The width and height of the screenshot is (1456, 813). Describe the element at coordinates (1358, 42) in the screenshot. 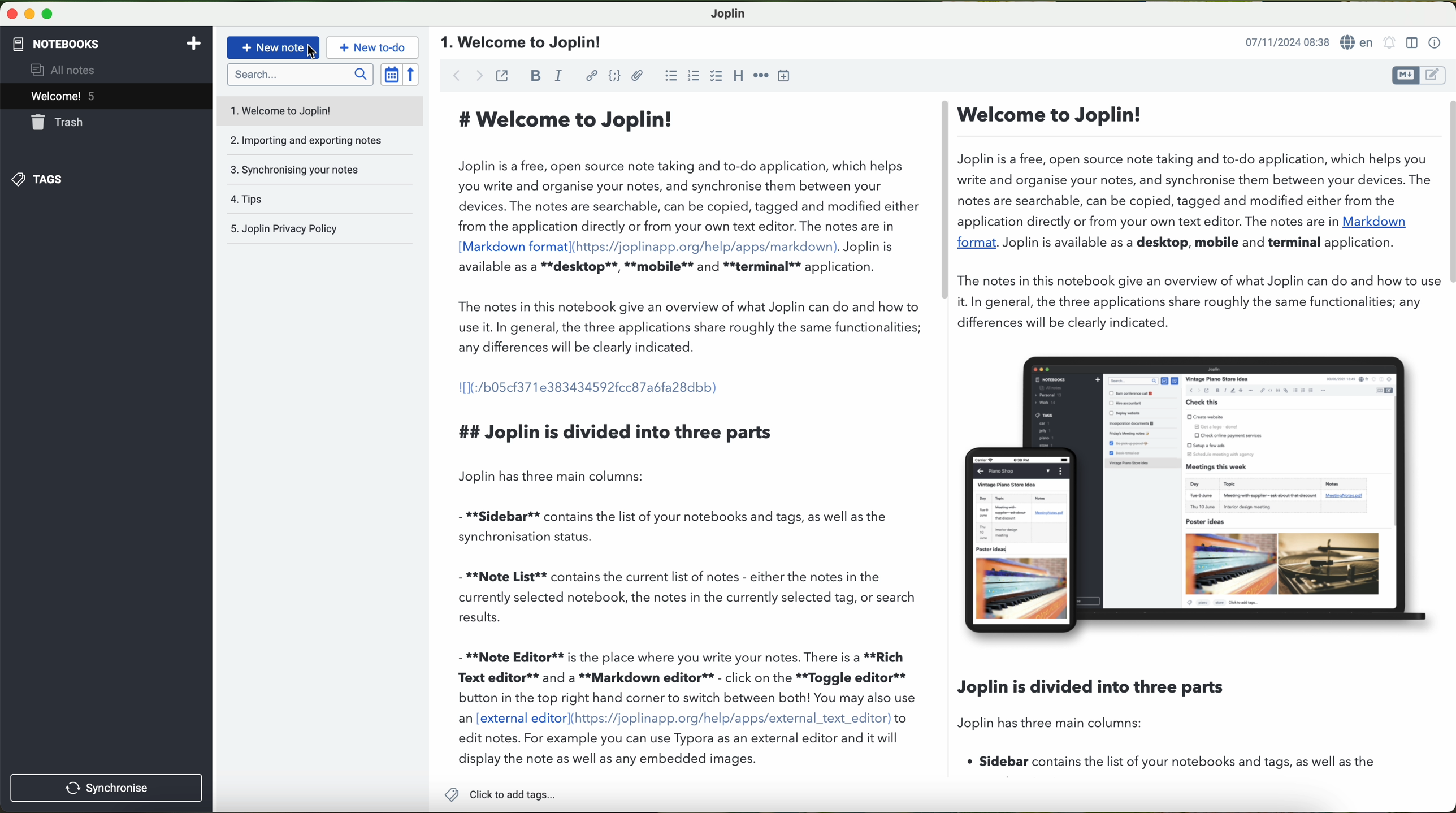

I see `language` at that location.